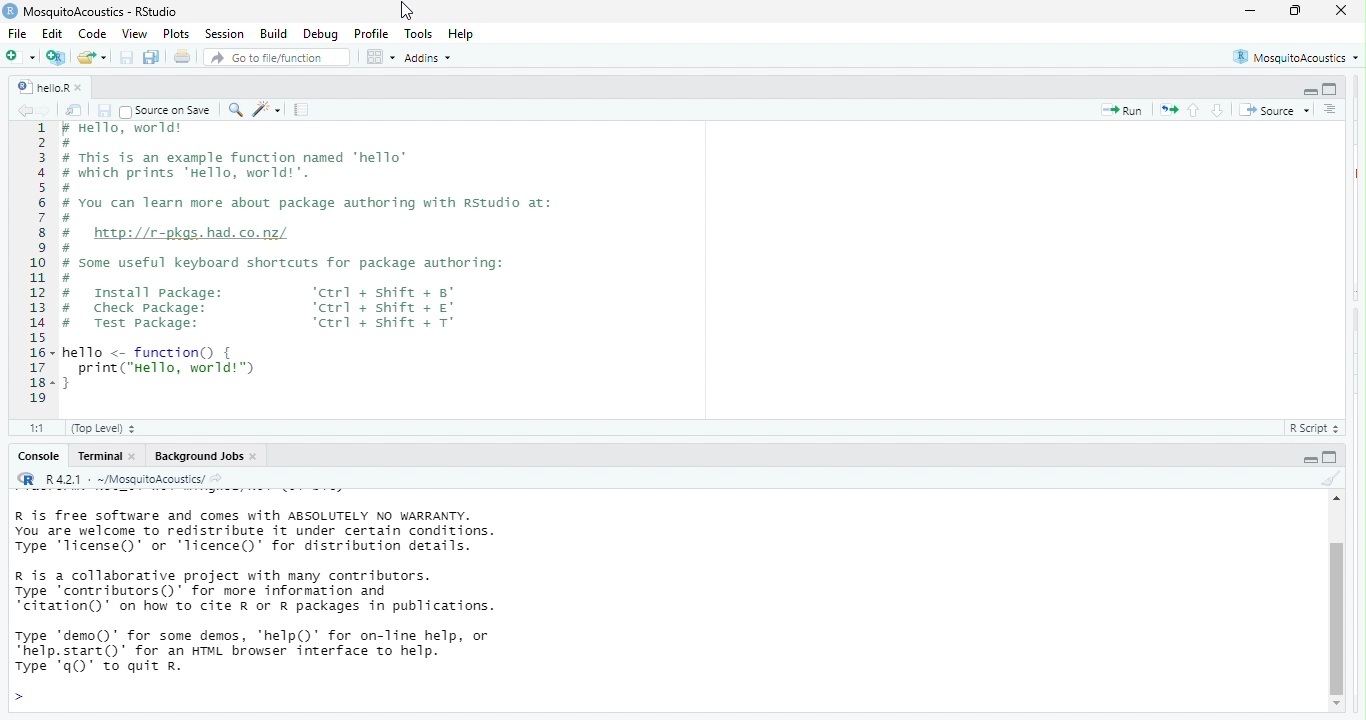 The image size is (1366, 720). Describe the element at coordinates (20, 35) in the screenshot. I see `file` at that location.